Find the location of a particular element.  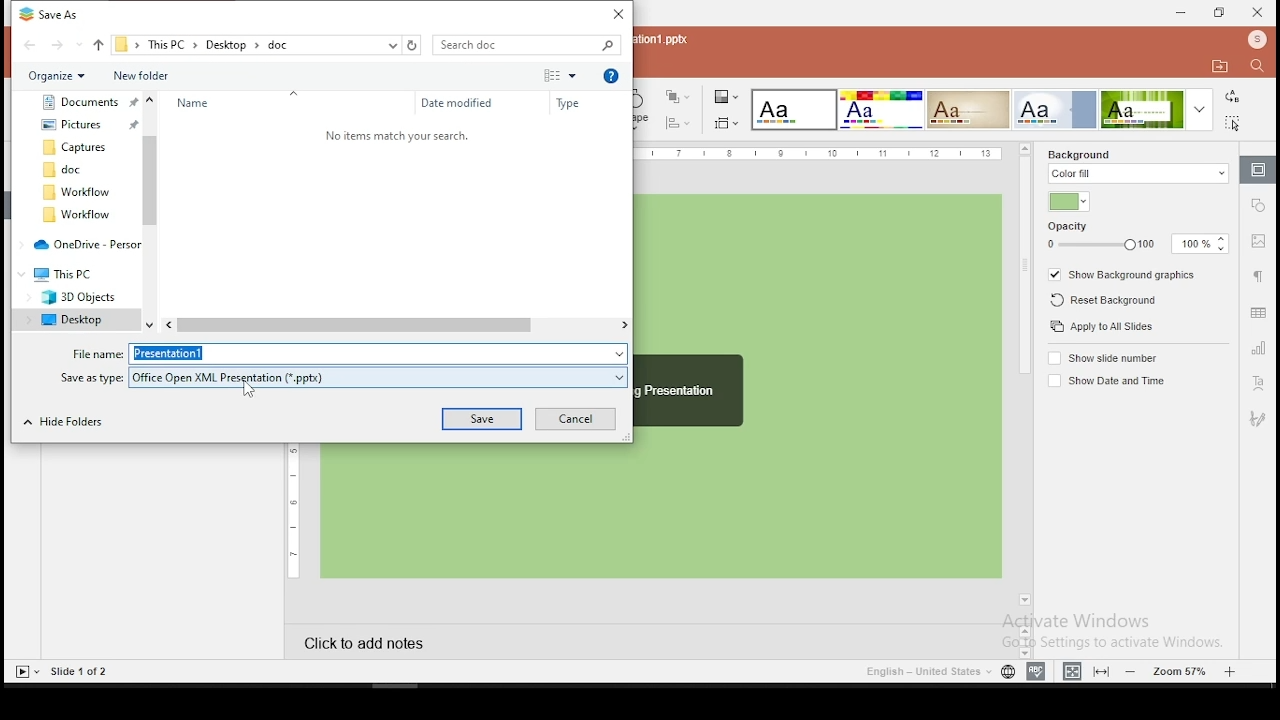

select color theme is located at coordinates (793, 110).